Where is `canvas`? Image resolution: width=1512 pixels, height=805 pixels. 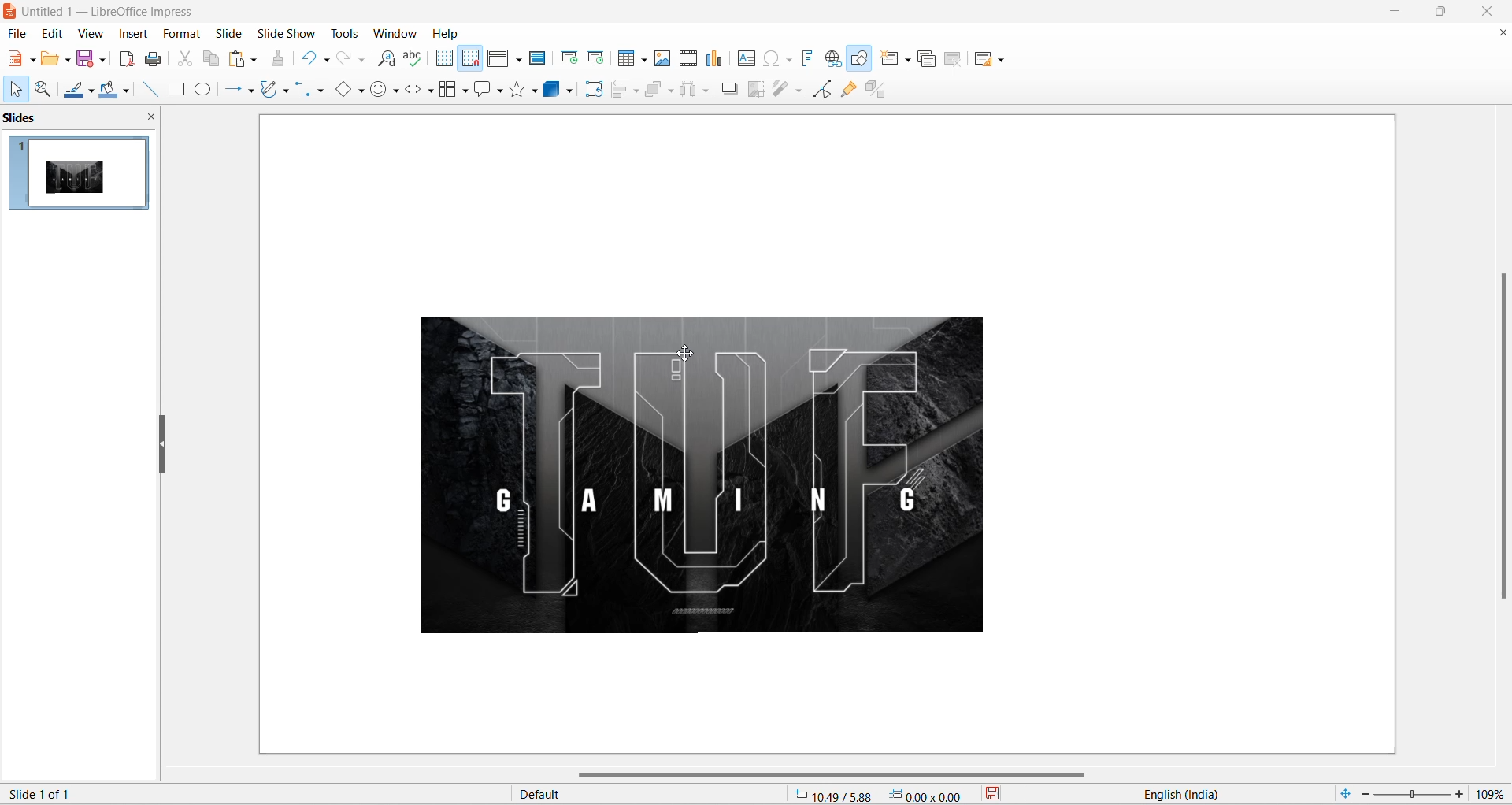 canvas is located at coordinates (821, 437).